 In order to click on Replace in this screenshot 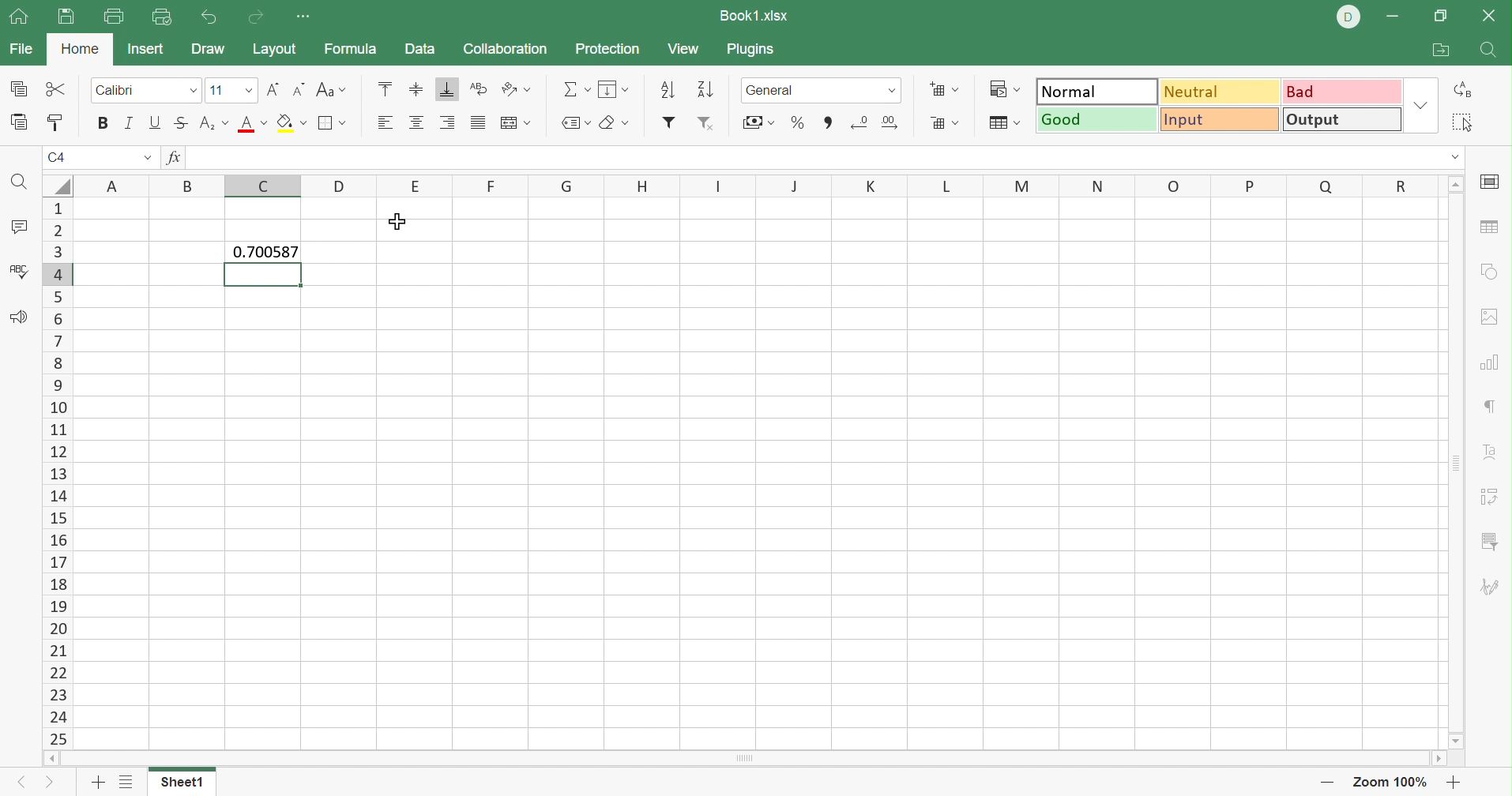, I will do `click(1465, 87)`.